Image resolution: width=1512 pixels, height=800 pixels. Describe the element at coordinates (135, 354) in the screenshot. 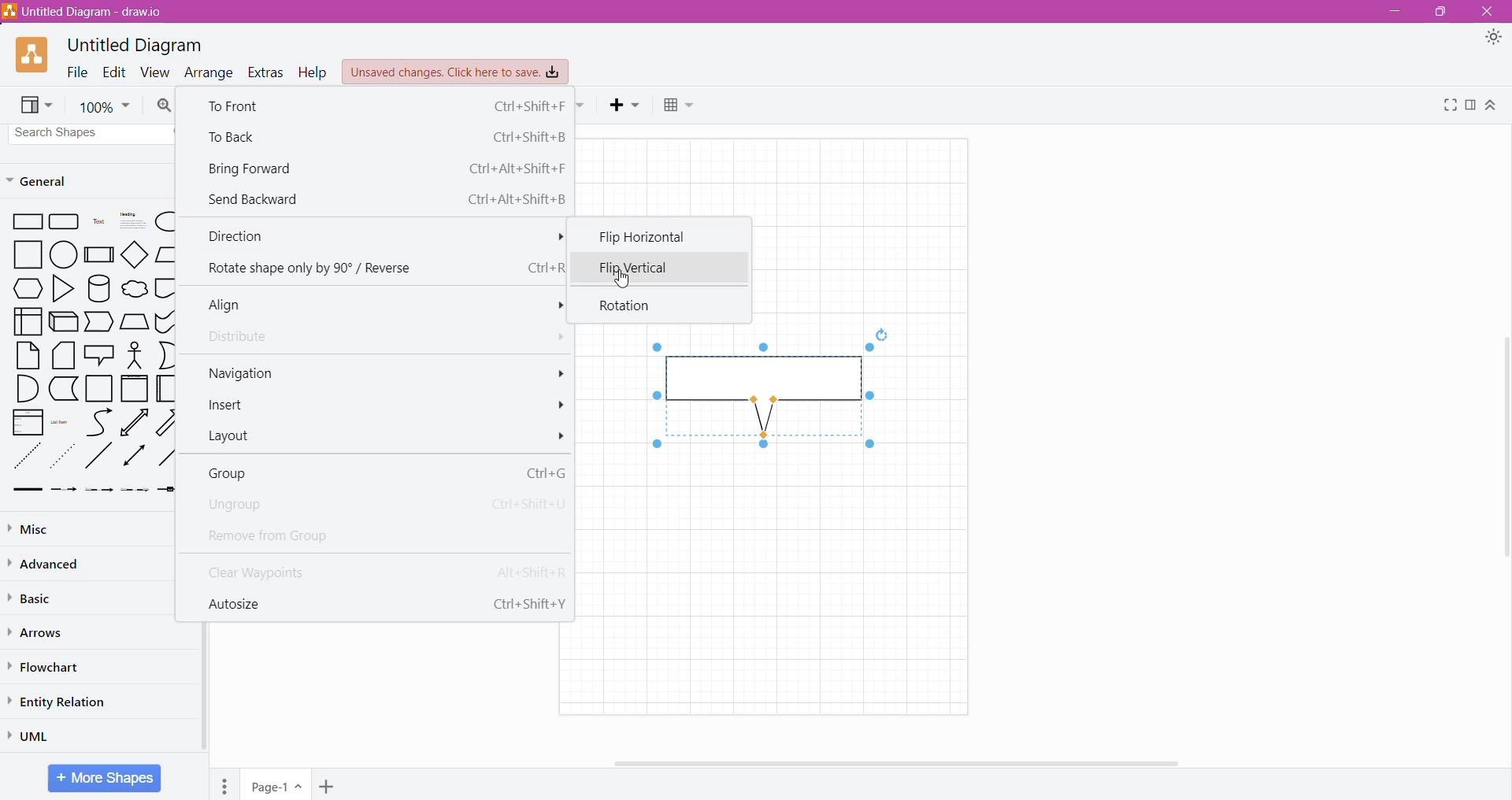

I see `Stick Figure` at that location.